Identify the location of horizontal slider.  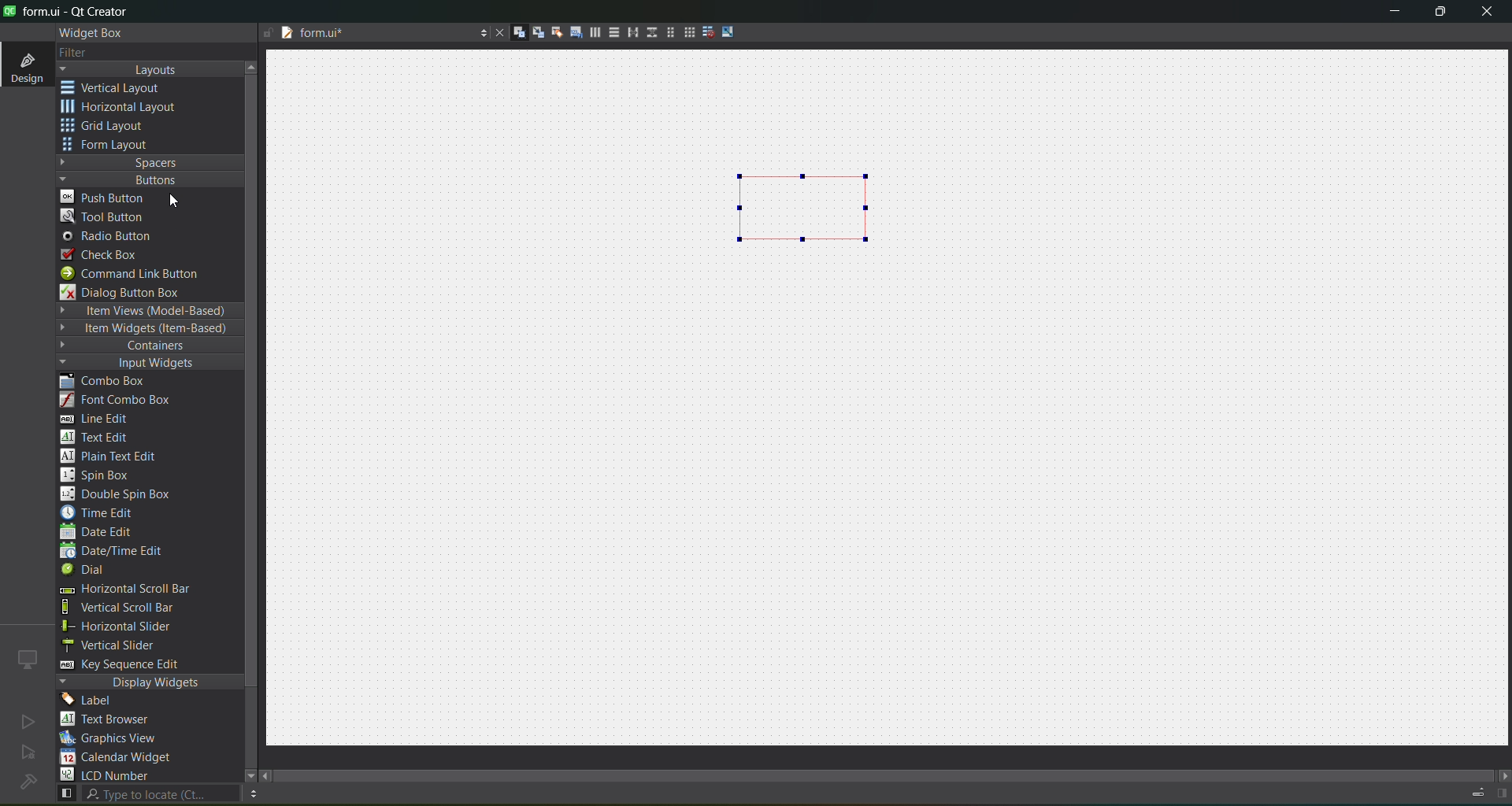
(134, 627).